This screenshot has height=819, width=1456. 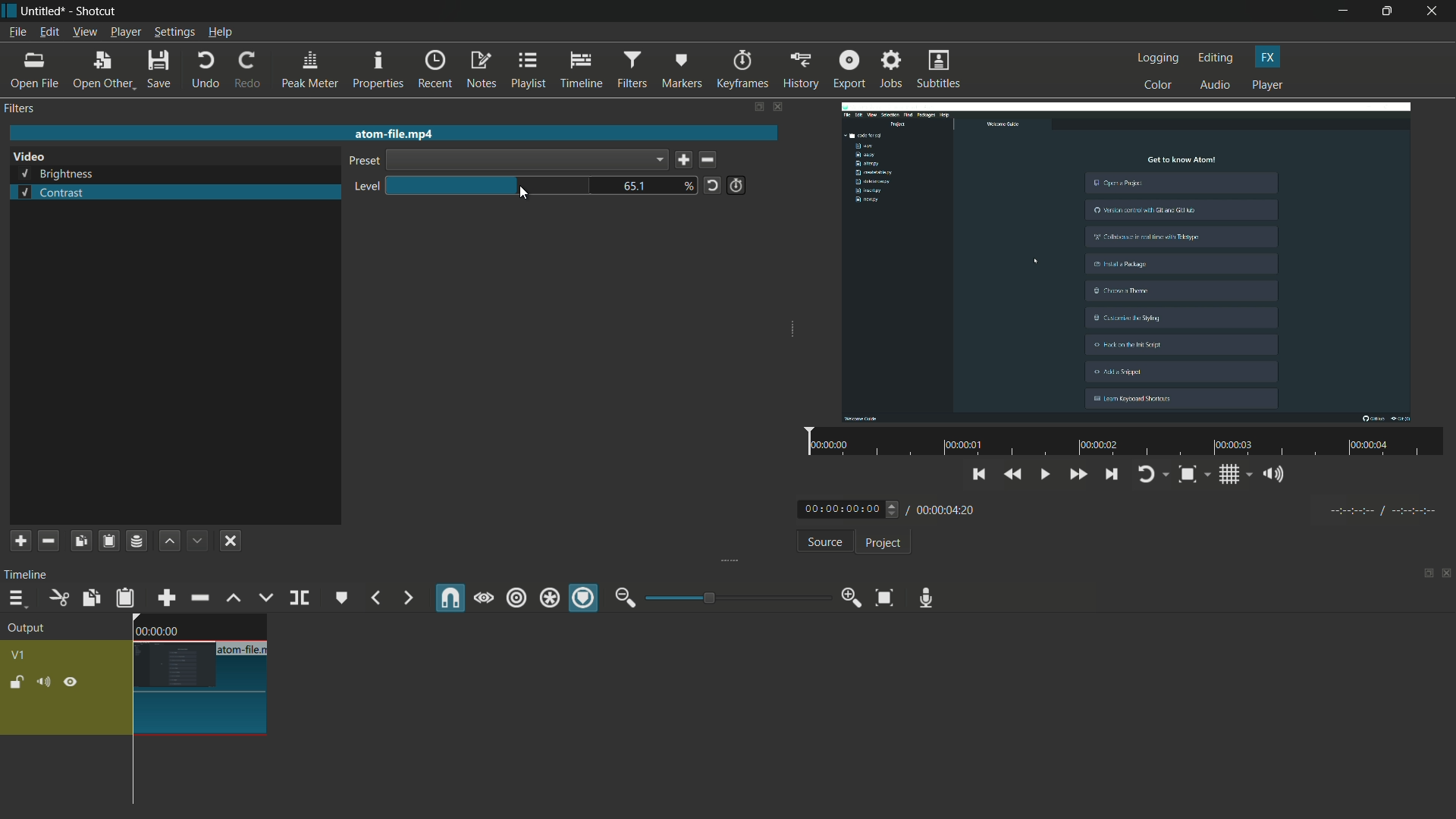 What do you see at coordinates (136, 542) in the screenshot?
I see `save a filter set` at bounding box center [136, 542].